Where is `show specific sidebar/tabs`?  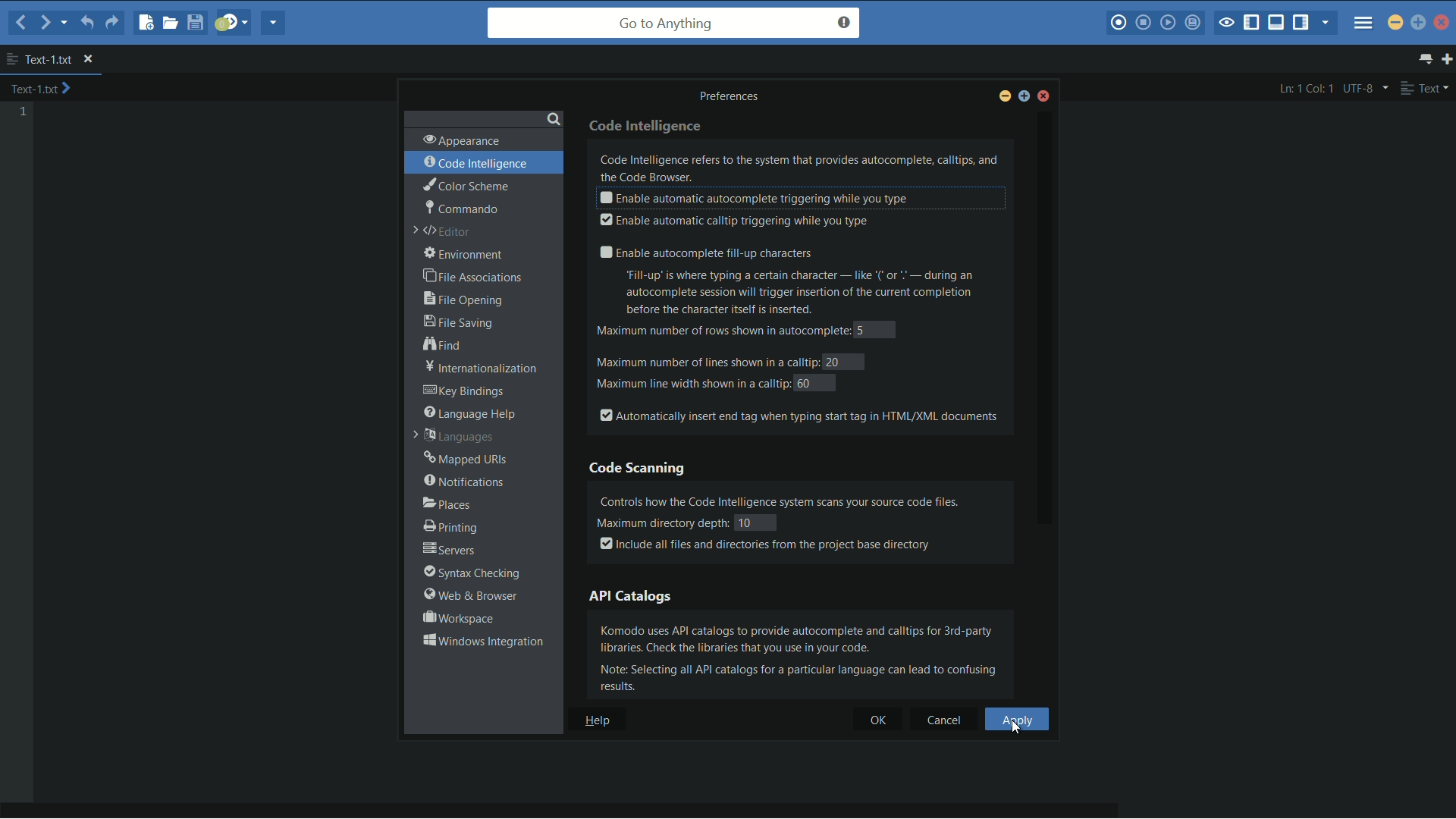 show specific sidebar/tabs is located at coordinates (1326, 24).